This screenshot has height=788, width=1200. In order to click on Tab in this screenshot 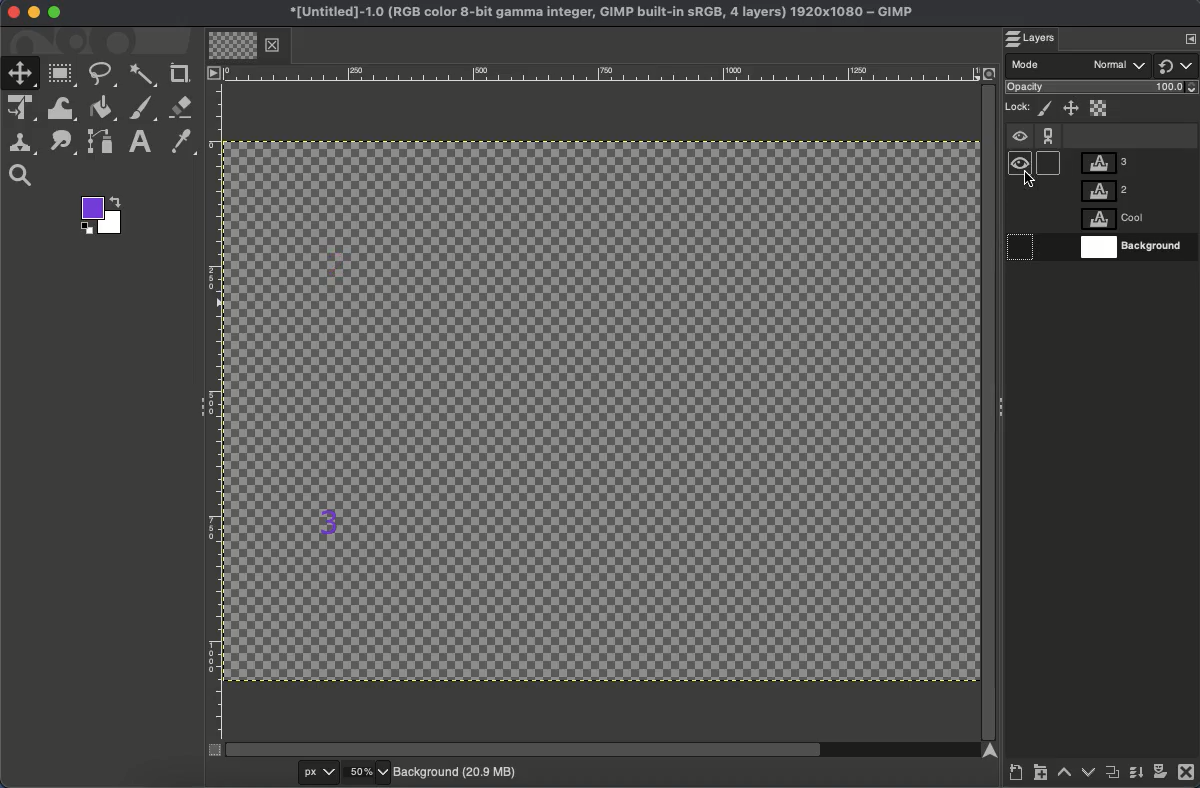, I will do `click(243, 46)`.